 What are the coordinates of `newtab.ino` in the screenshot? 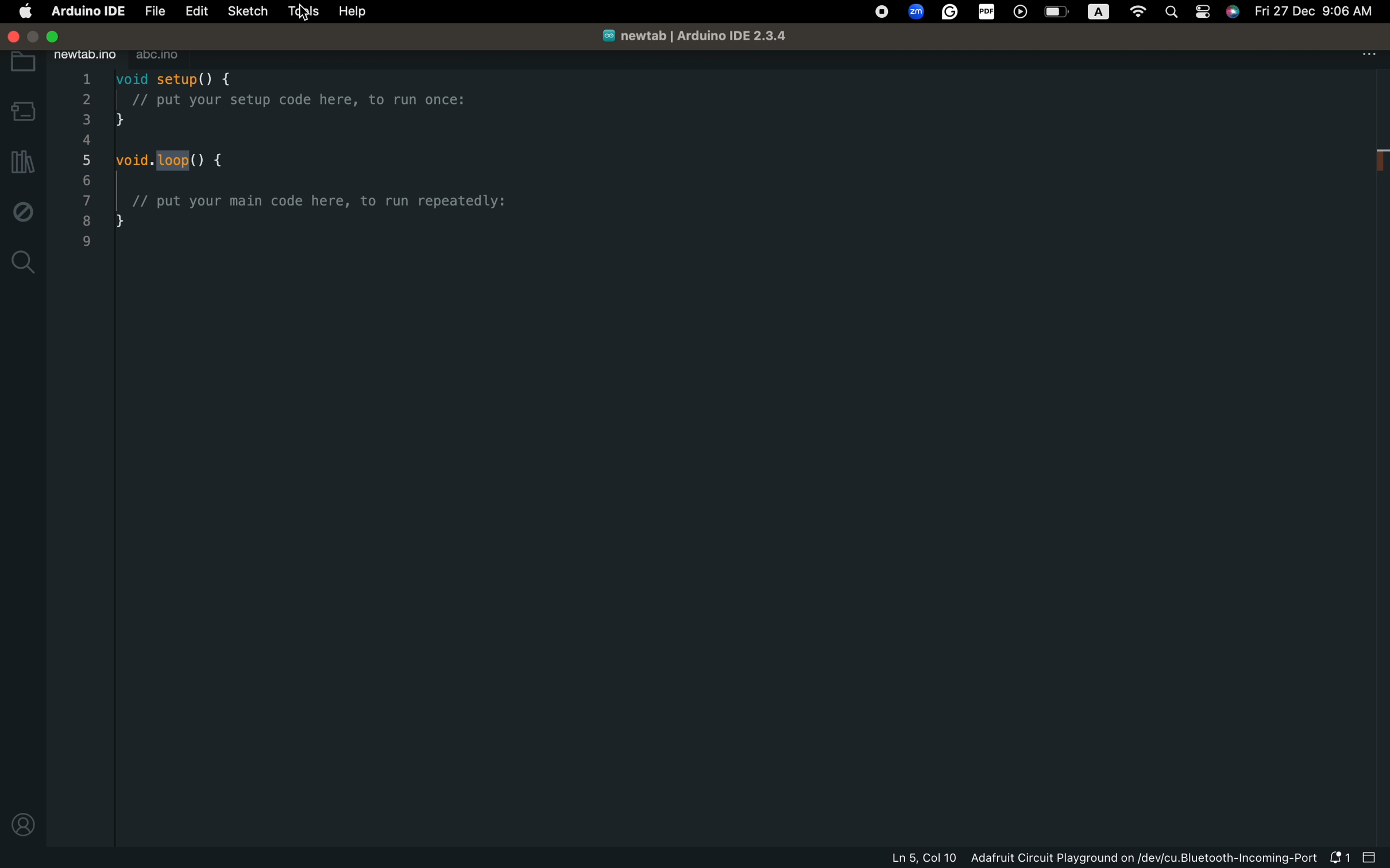 It's located at (85, 55).